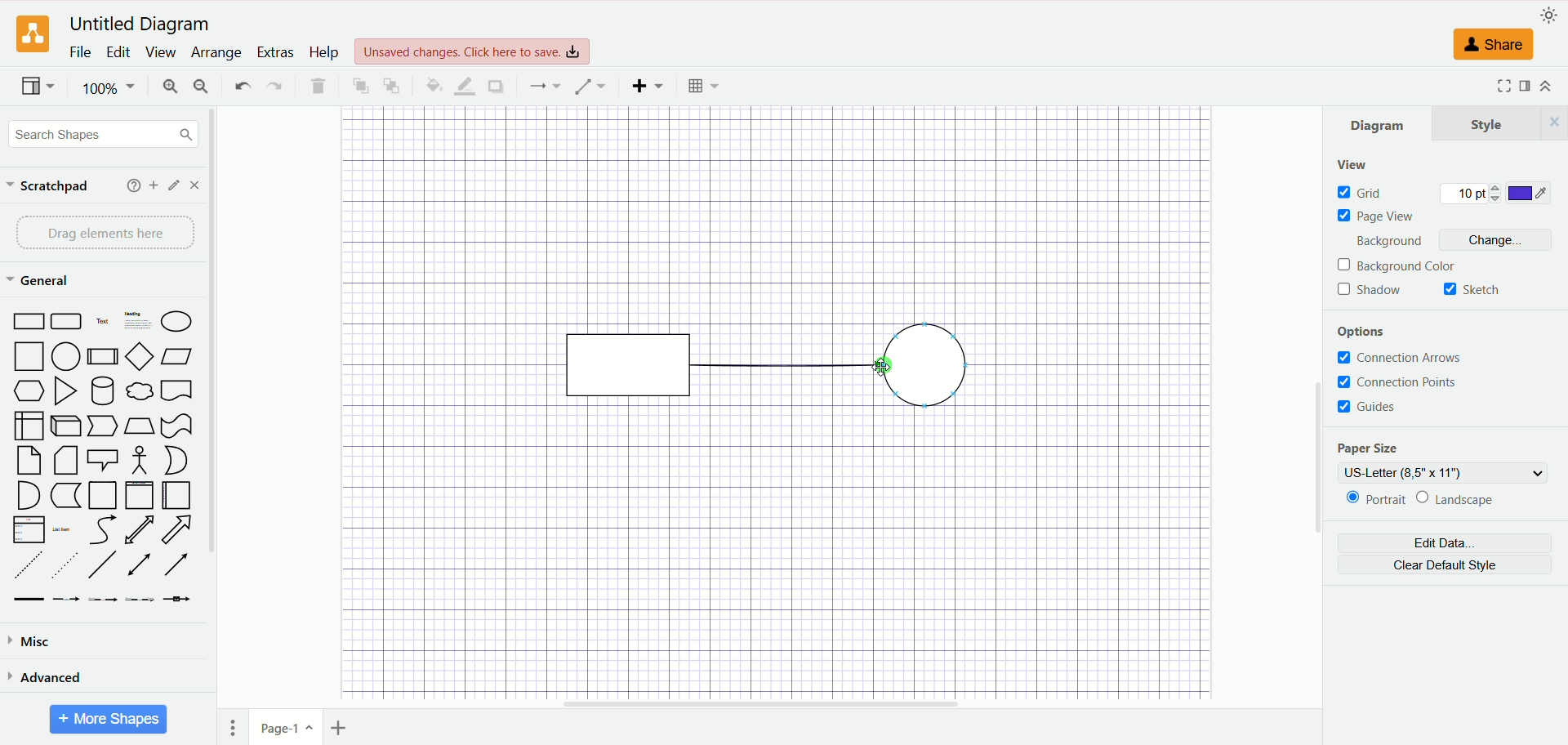 This screenshot has width=1568, height=745. Describe the element at coordinates (141, 603) in the screenshot. I see `Connector with 3 Labels` at that location.